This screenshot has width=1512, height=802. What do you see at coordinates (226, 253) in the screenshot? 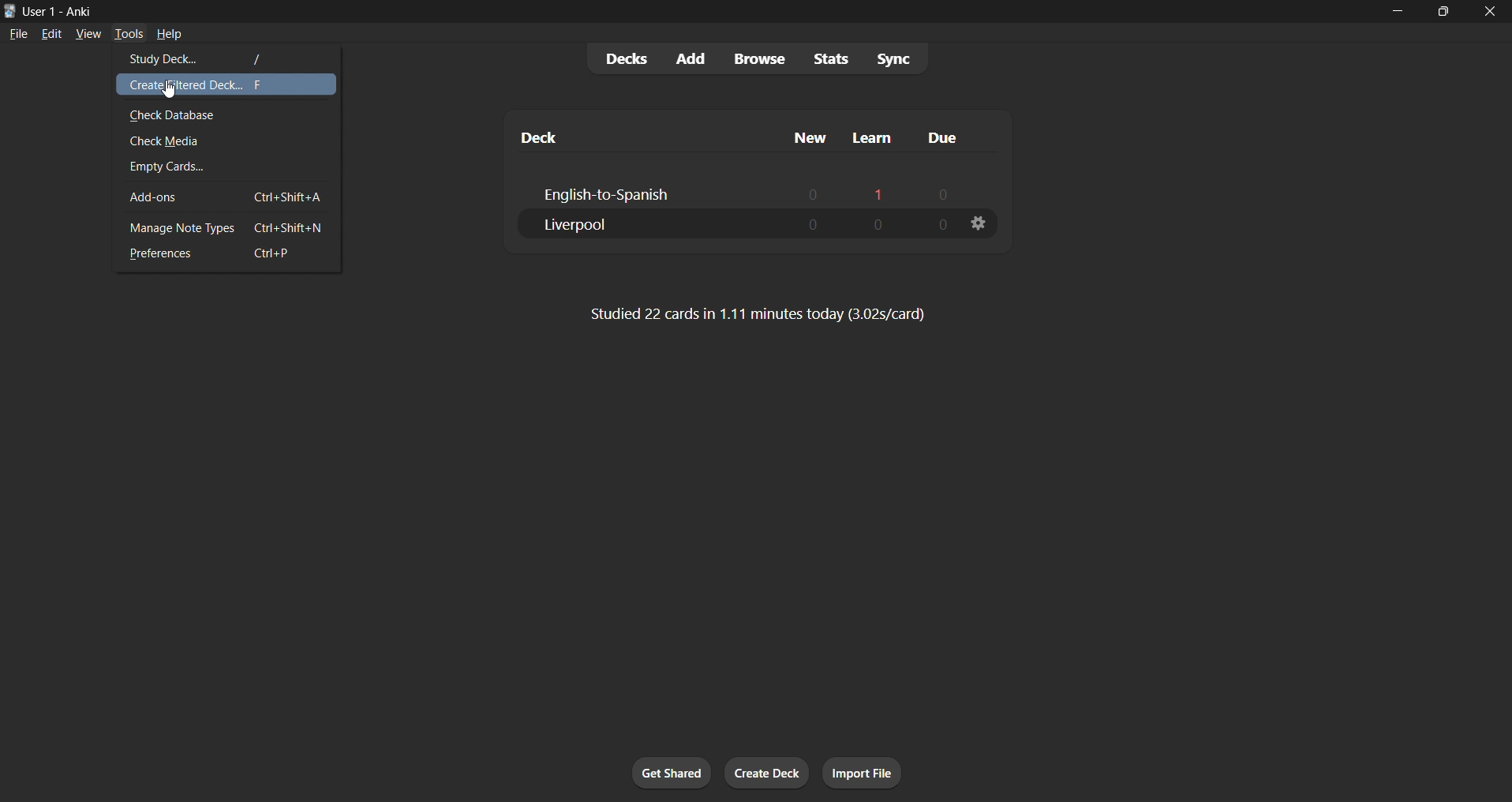
I see `preferences` at bounding box center [226, 253].